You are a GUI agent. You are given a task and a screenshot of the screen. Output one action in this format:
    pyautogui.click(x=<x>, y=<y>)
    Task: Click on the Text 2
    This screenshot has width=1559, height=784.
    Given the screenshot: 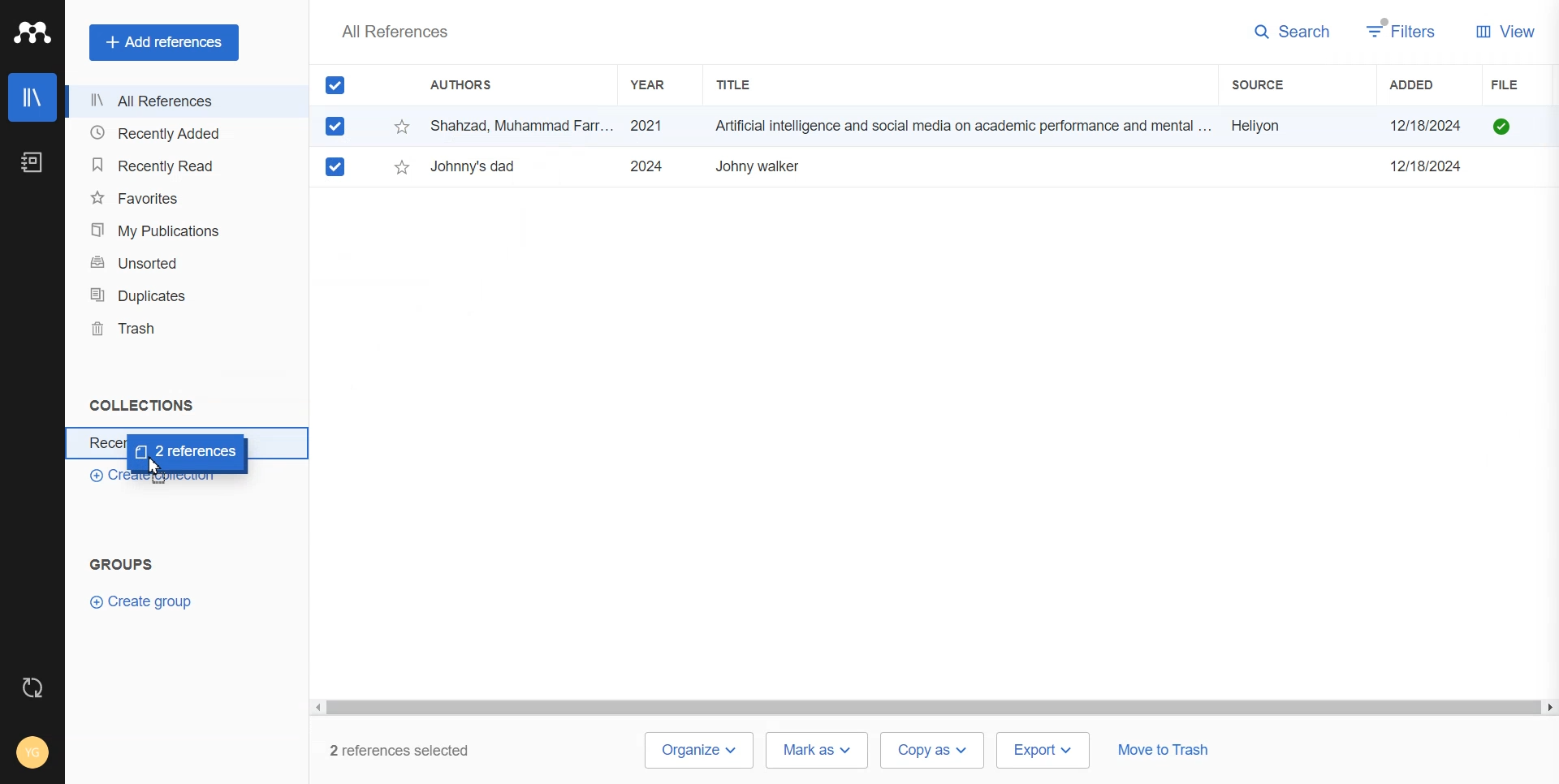 What is the action you would take?
    pyautogui.click(x=122, y=564)
    